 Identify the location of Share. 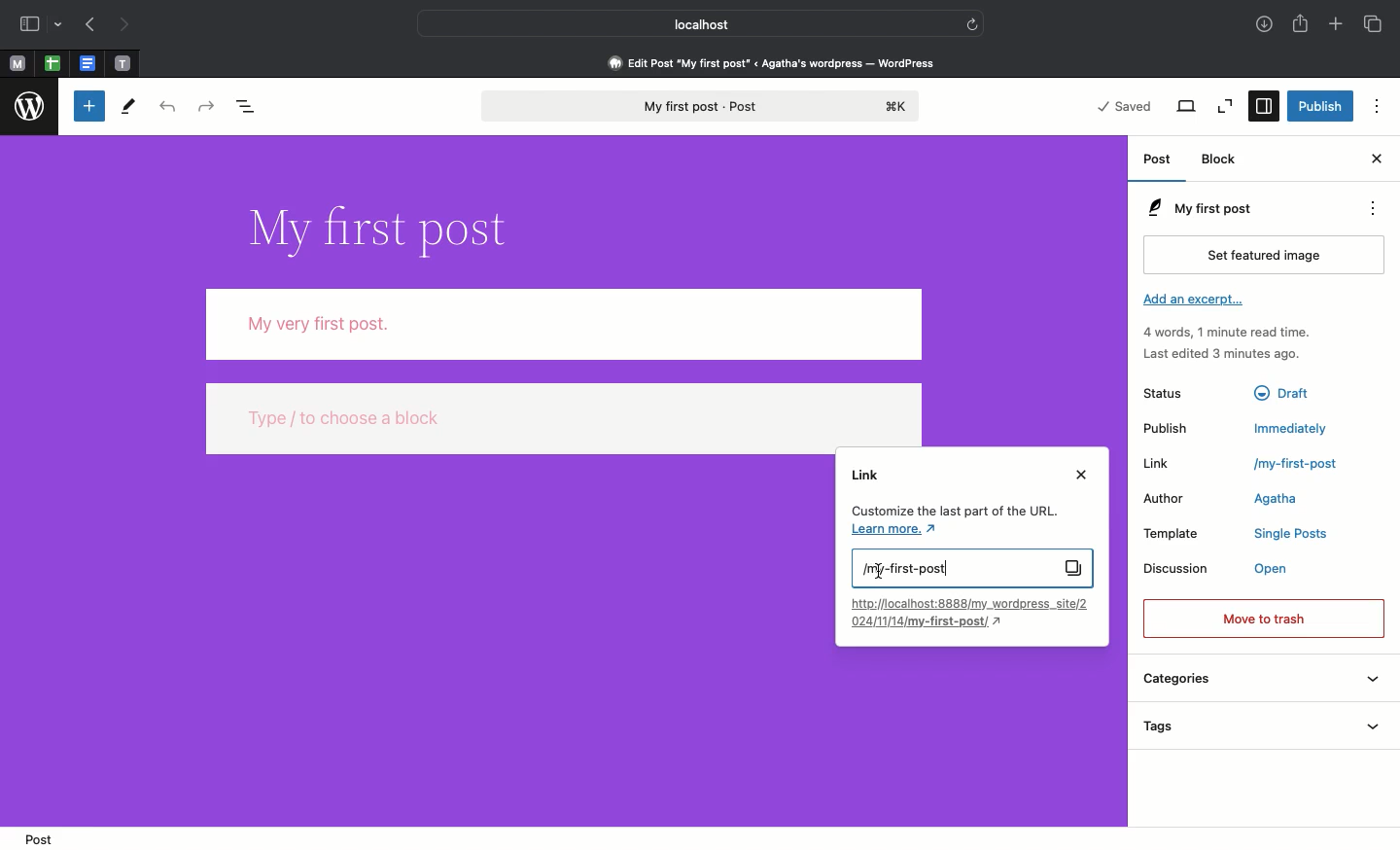
(1302, 25).